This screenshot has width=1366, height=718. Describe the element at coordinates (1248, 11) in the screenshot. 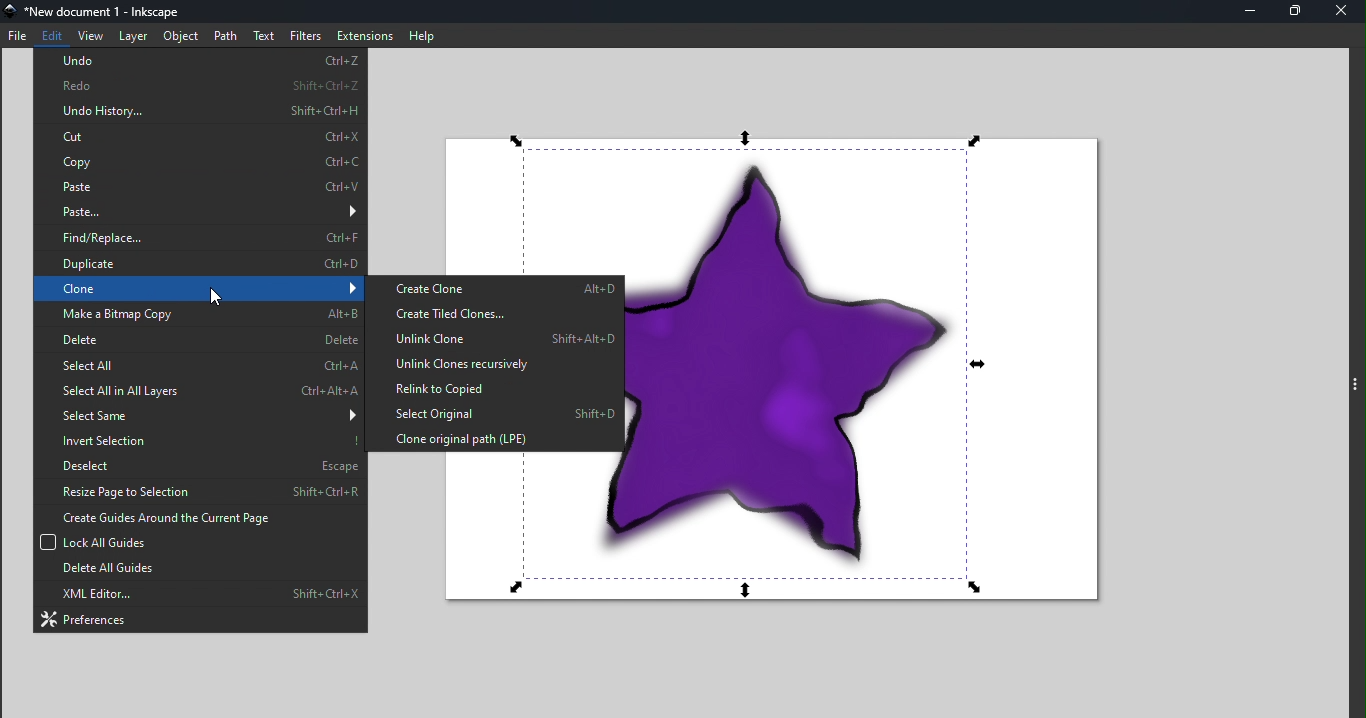

I see `Minimize` at that location.